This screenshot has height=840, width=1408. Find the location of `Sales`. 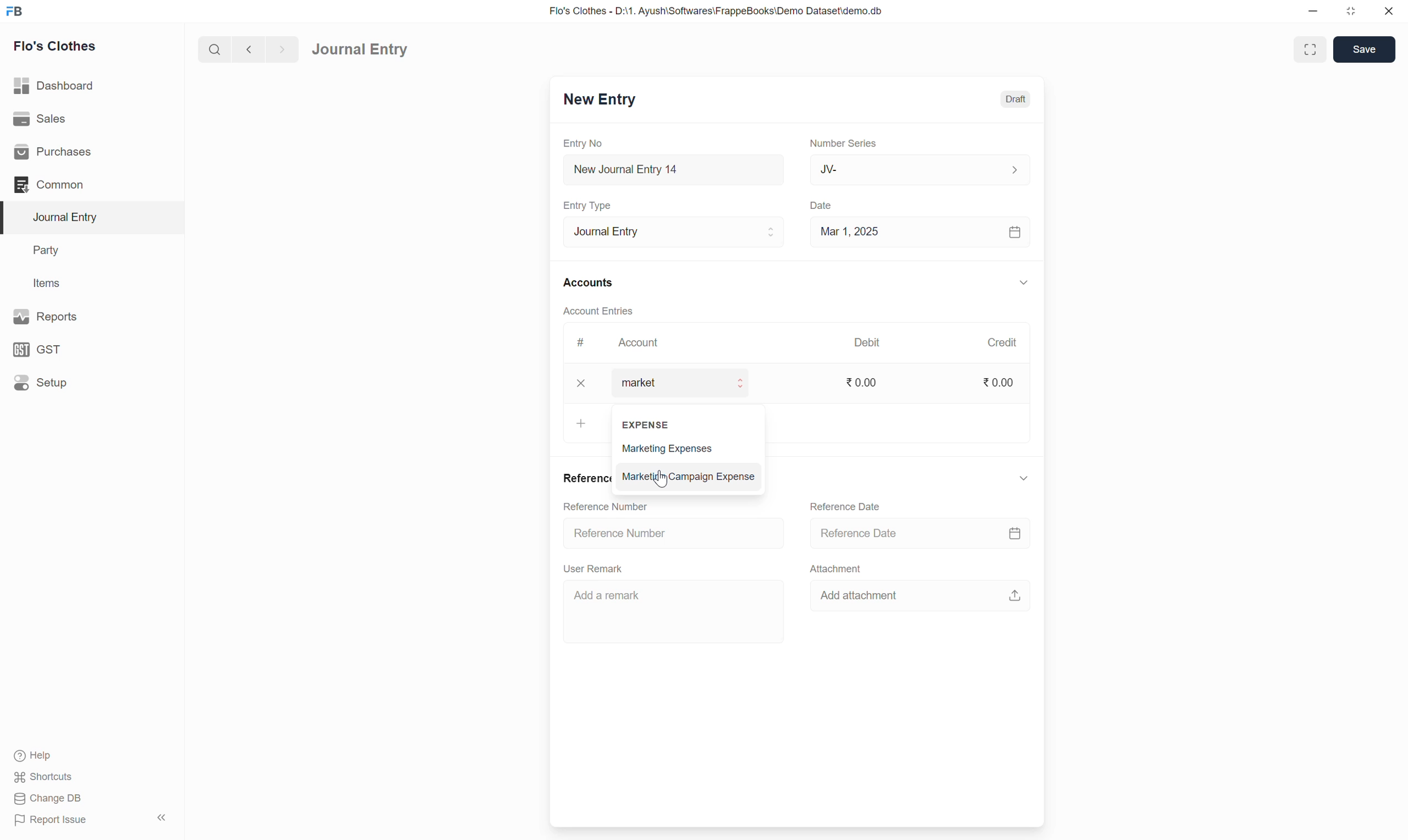

Sales is located at coordinates (39, 117).